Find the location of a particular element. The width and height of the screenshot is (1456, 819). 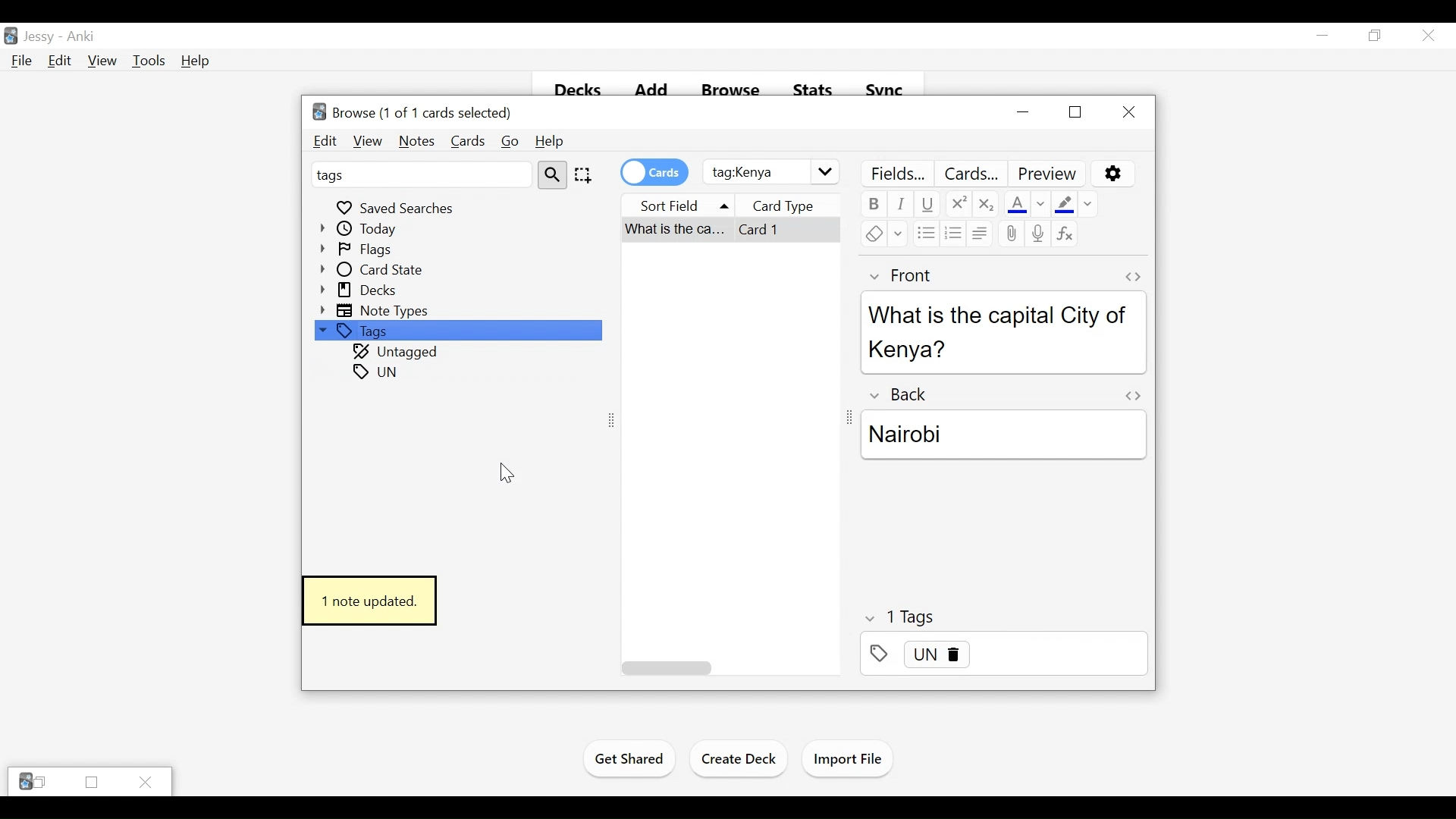

Saved Searches is located at coordinates (397, 206).